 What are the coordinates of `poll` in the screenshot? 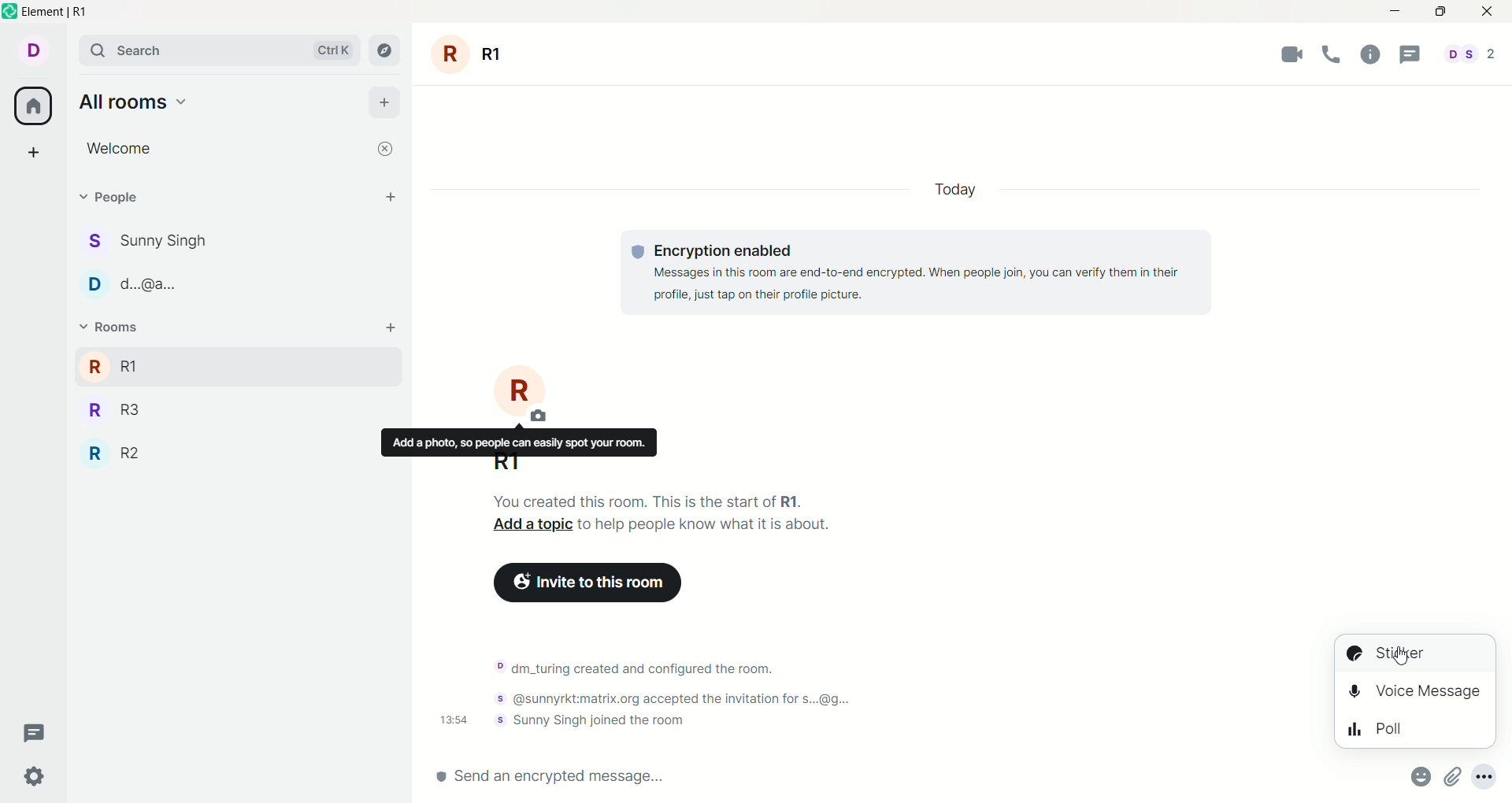 It's located at (1415, 728).